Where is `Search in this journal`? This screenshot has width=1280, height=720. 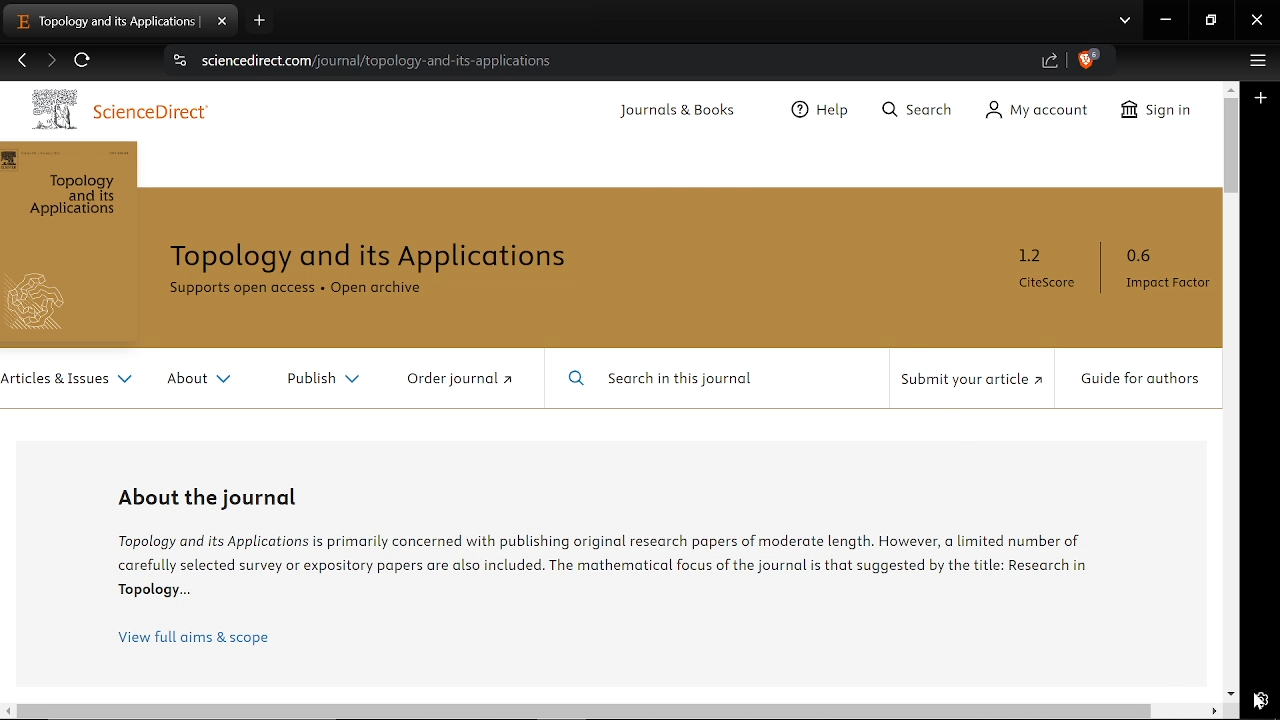 Search in this journal is located at coordinates (675, 383).